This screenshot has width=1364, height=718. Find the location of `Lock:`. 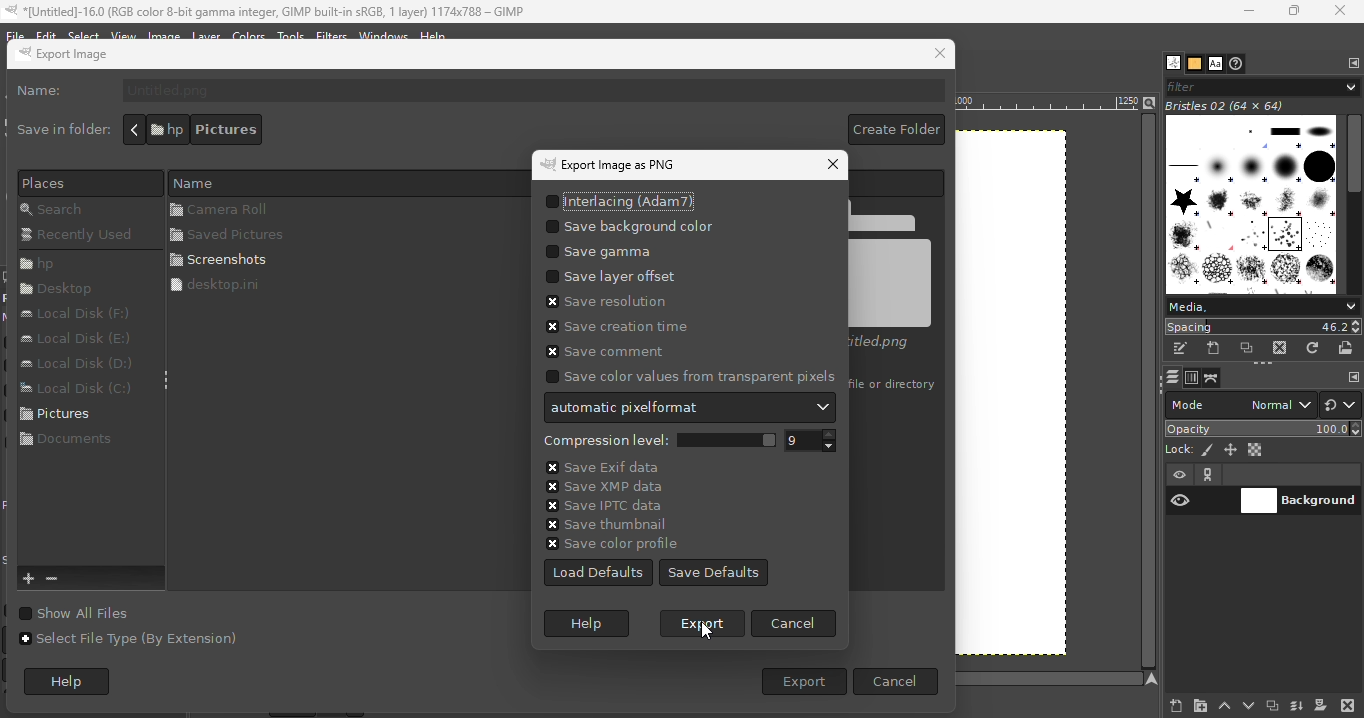

Lock: is located at coordinates (1176, 448).